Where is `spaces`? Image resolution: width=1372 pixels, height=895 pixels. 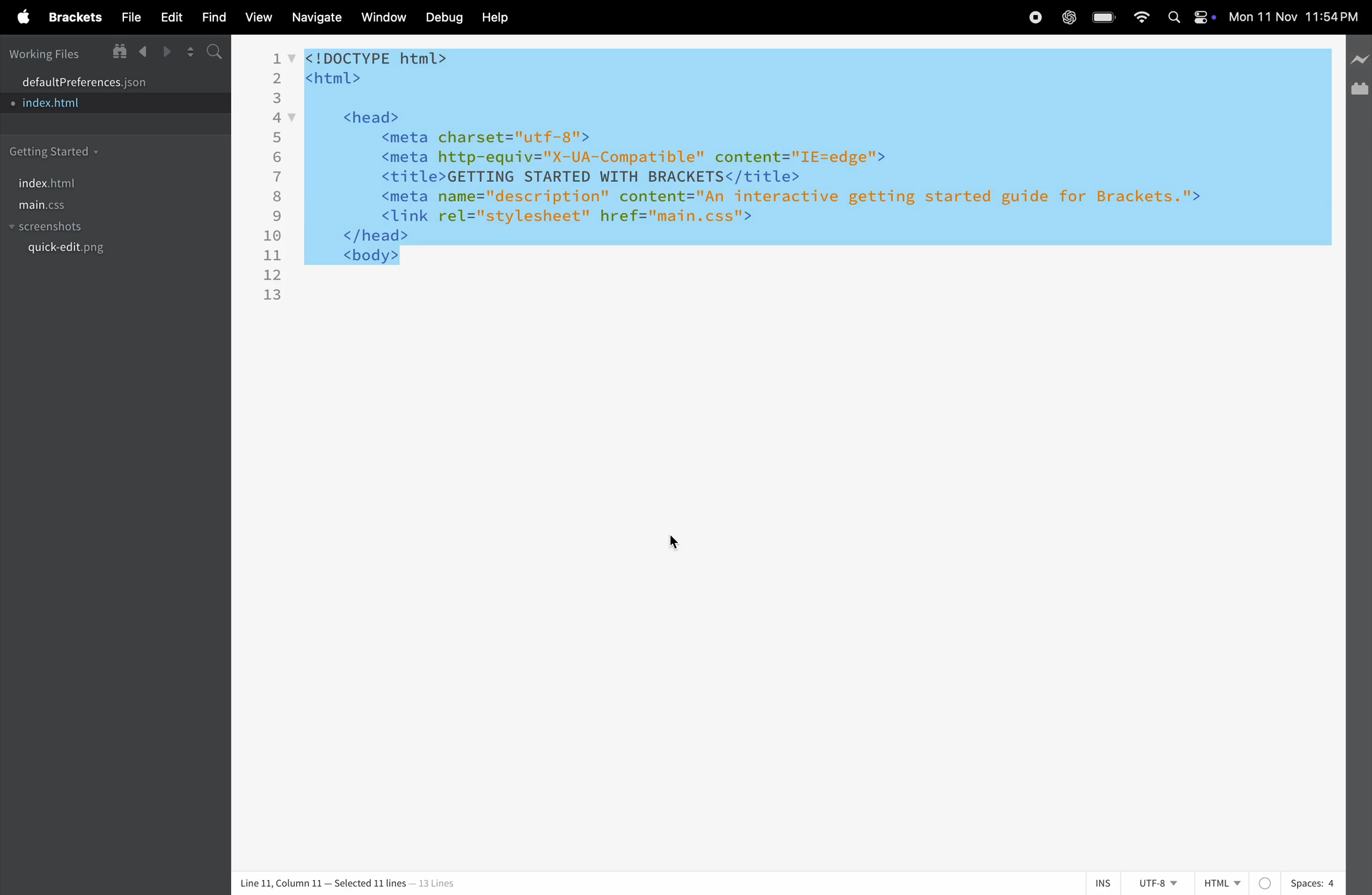
spaces is located at coordinates (1312, 883).